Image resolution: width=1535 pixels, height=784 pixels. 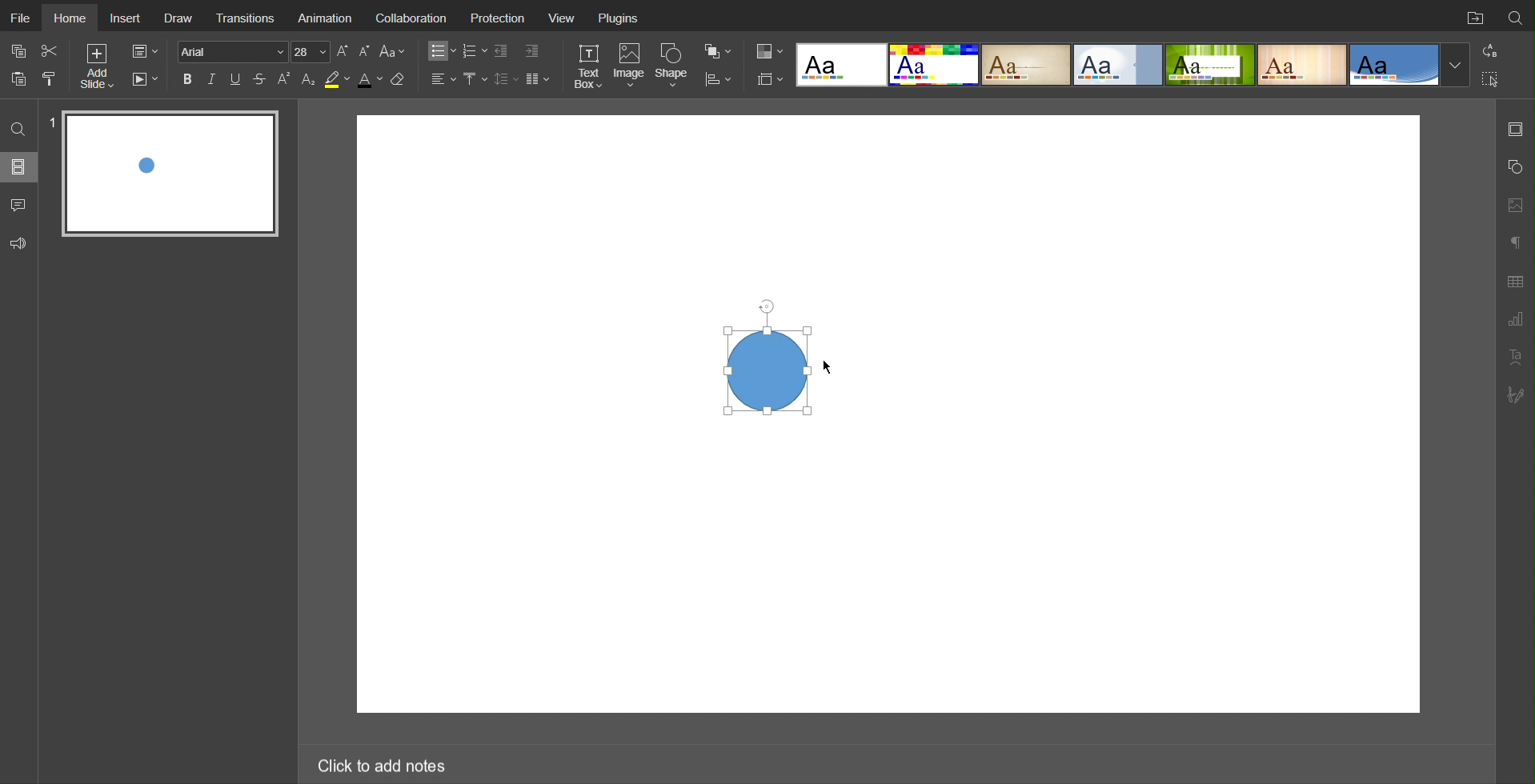 I want to click on Animation, so click(x=328, y=18).